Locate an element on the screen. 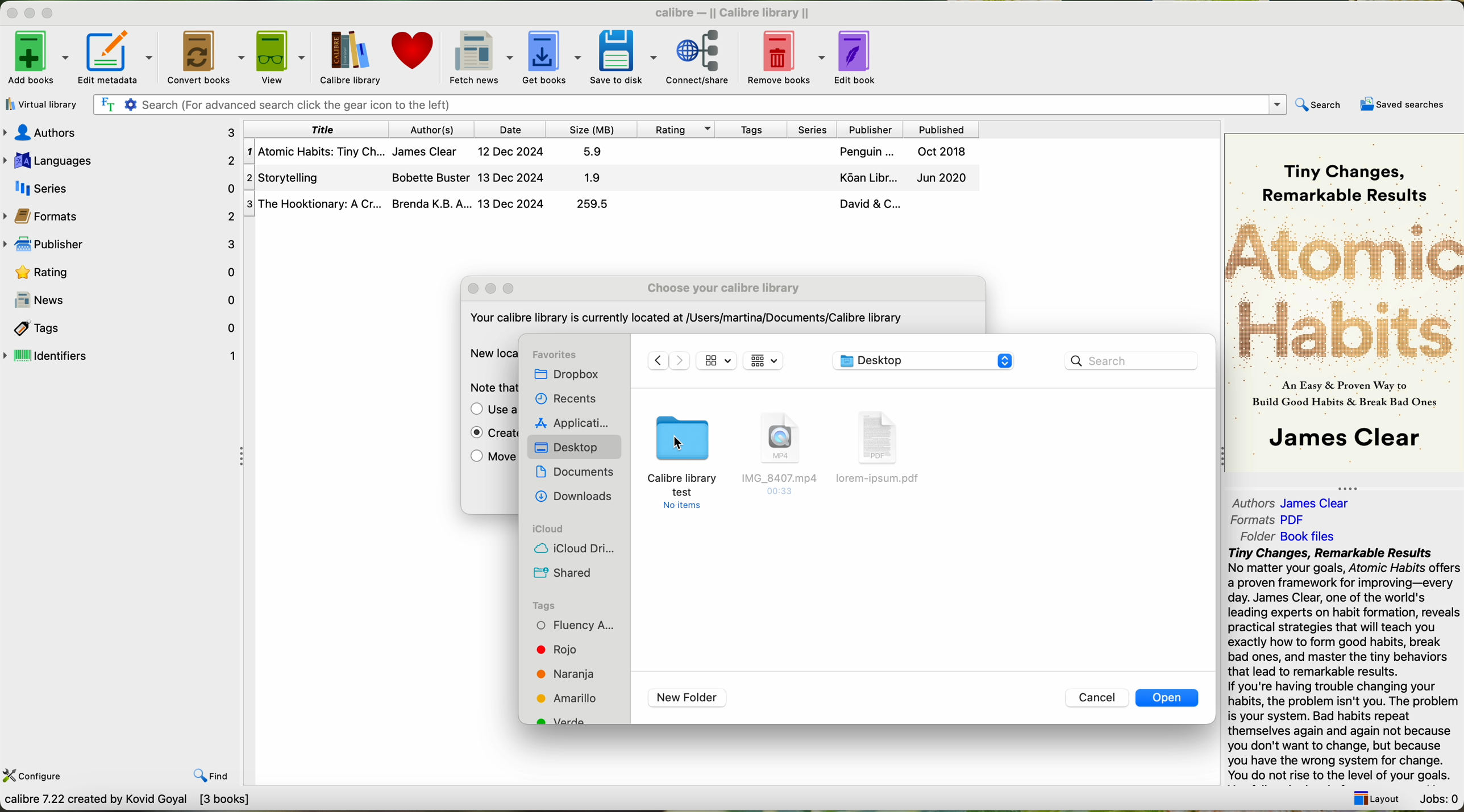 The image size is (1464, 812). publisher is located at coordinates (123, 245).